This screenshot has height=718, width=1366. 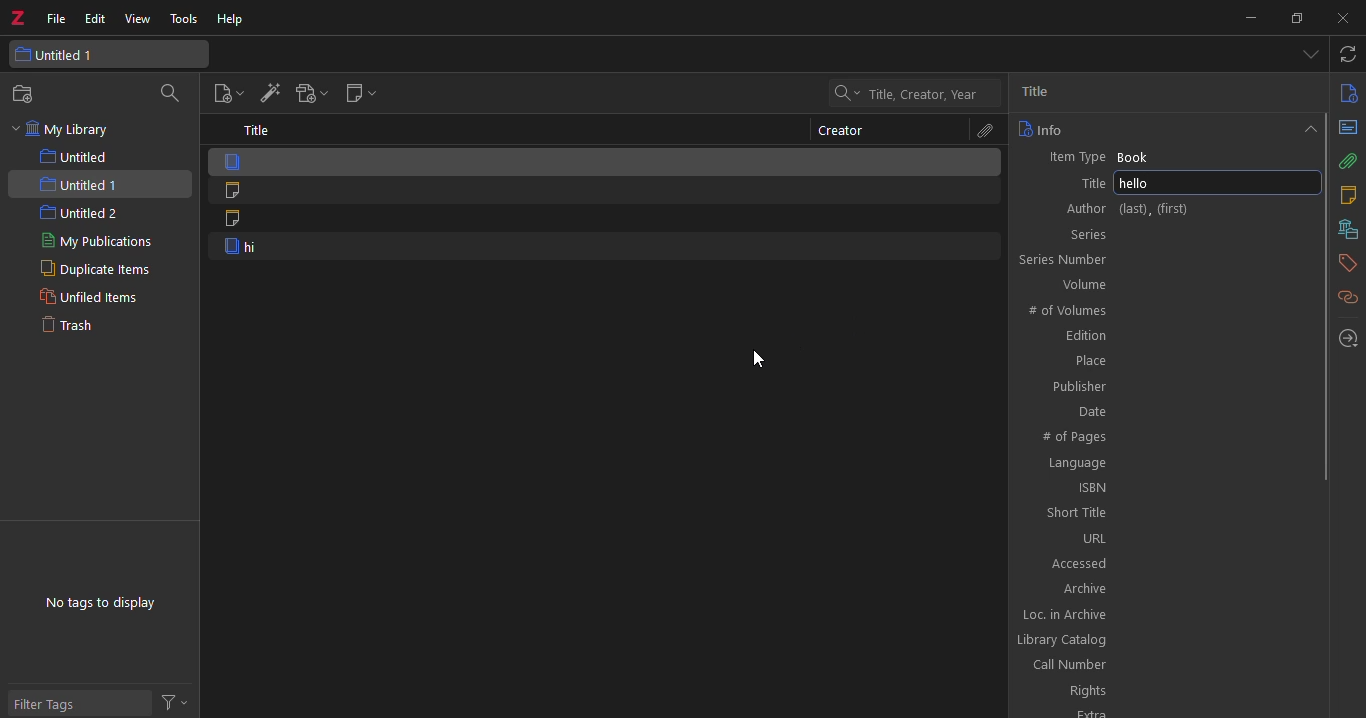 What do you see at coordinates (1349, 338) in the screenshot?
I see `locate` at bounding box center [1349, 338].